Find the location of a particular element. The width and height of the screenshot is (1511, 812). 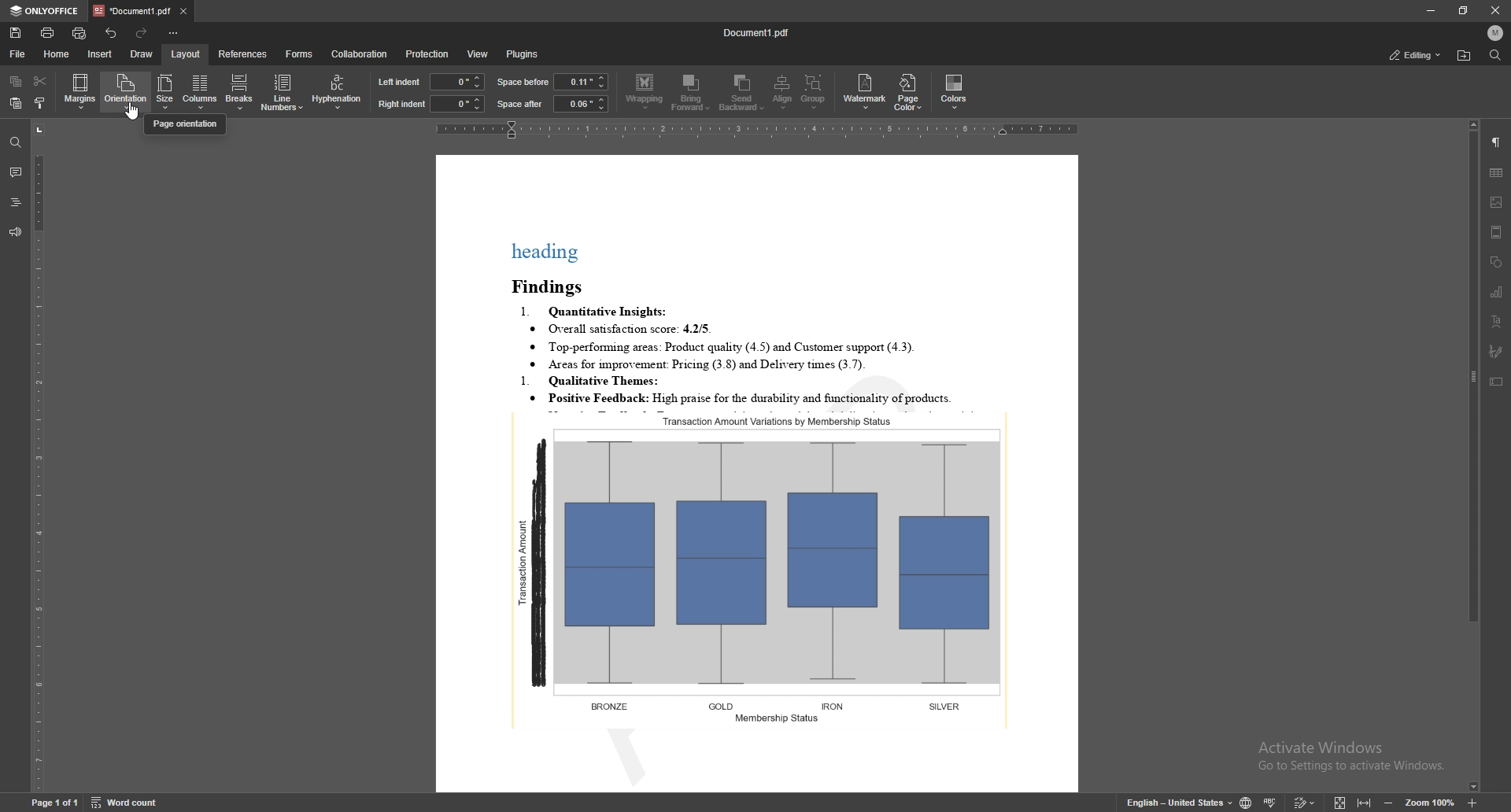

feedback is located at coordinates (16, 232).